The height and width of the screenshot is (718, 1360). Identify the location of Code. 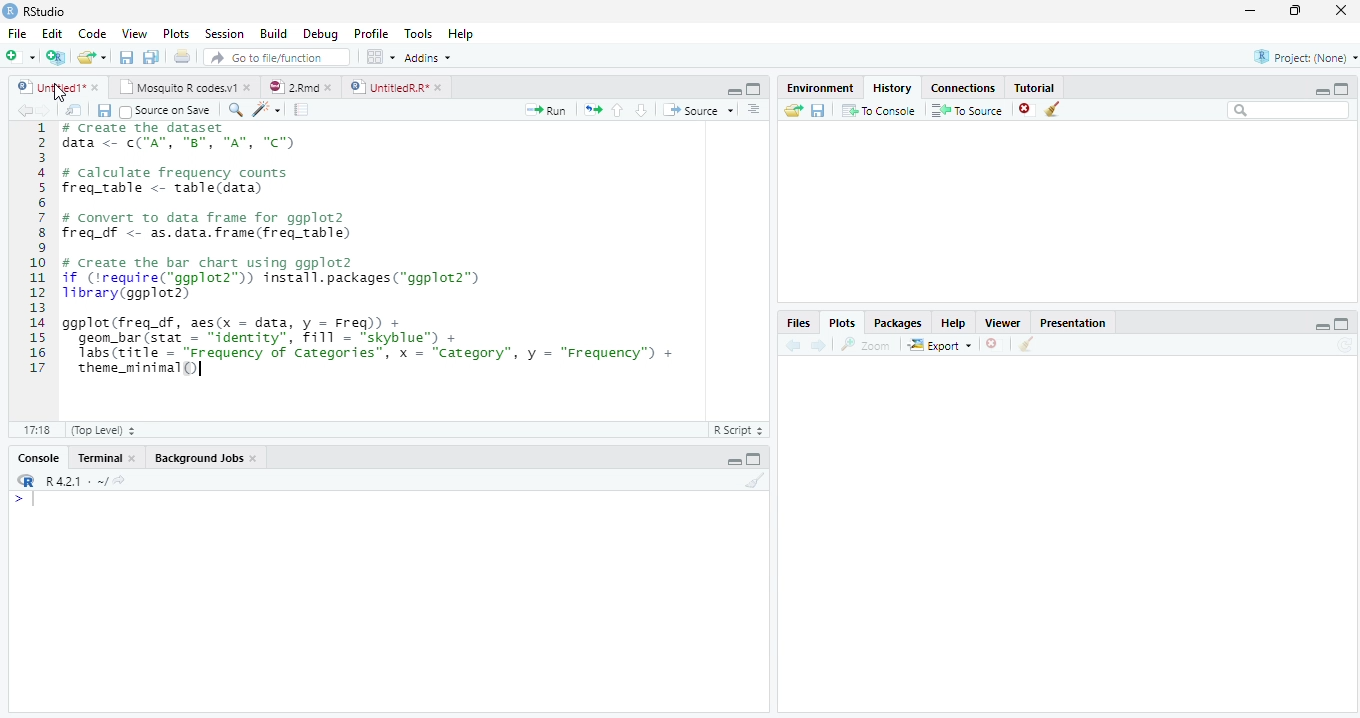
(96, 34).